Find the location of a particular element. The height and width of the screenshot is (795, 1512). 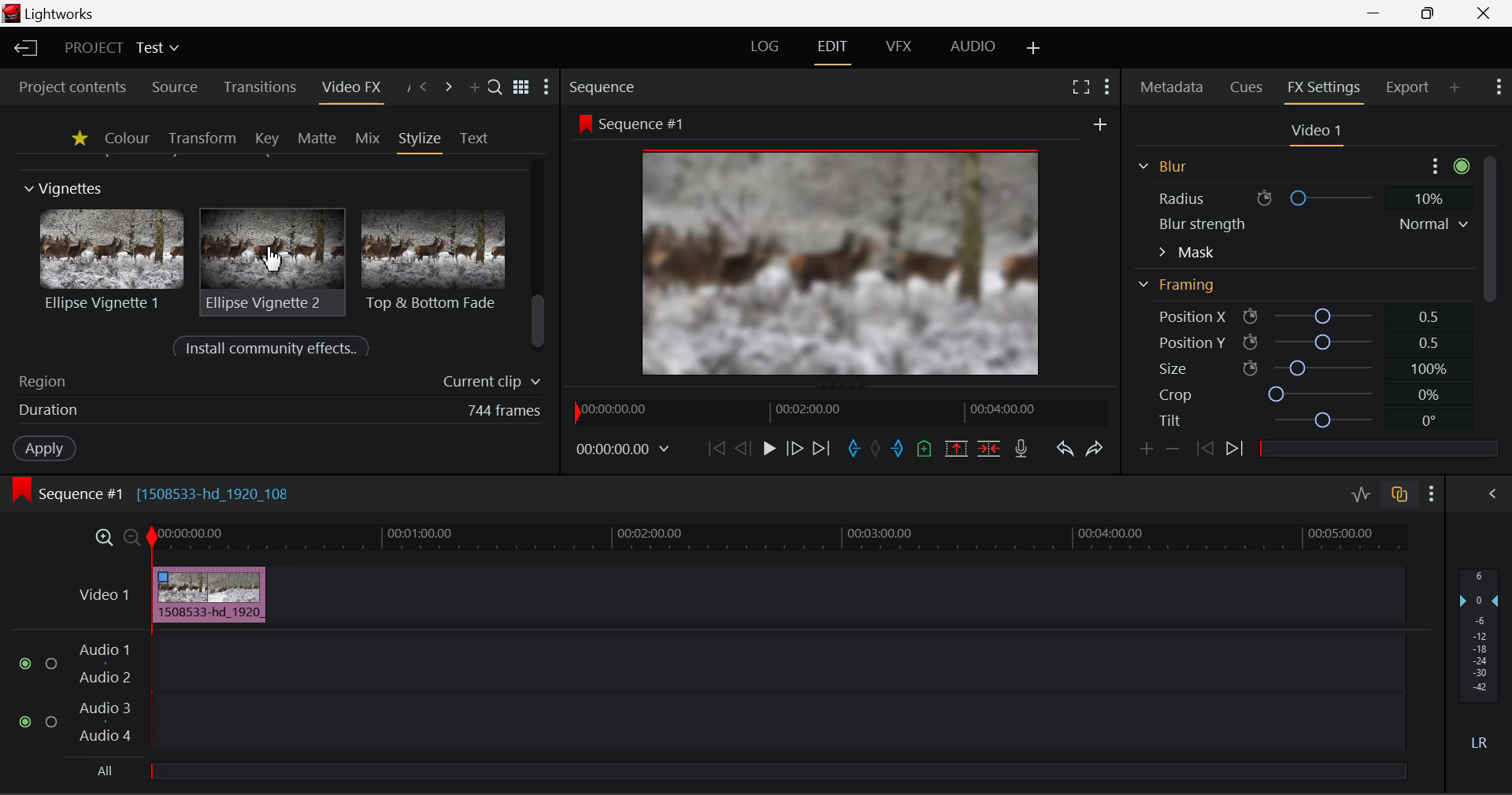

Mix is located at coordinates (367, 137).